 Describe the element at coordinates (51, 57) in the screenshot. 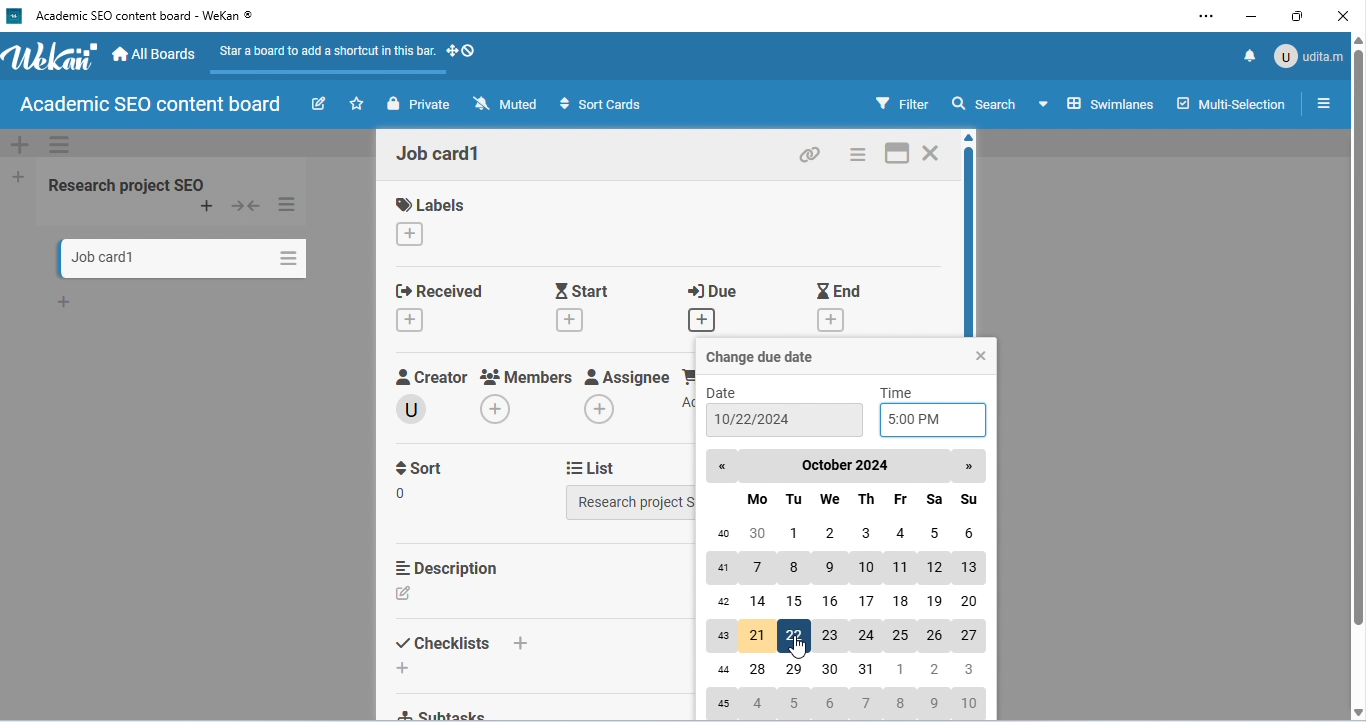

I see `WeKan logo` at that location.